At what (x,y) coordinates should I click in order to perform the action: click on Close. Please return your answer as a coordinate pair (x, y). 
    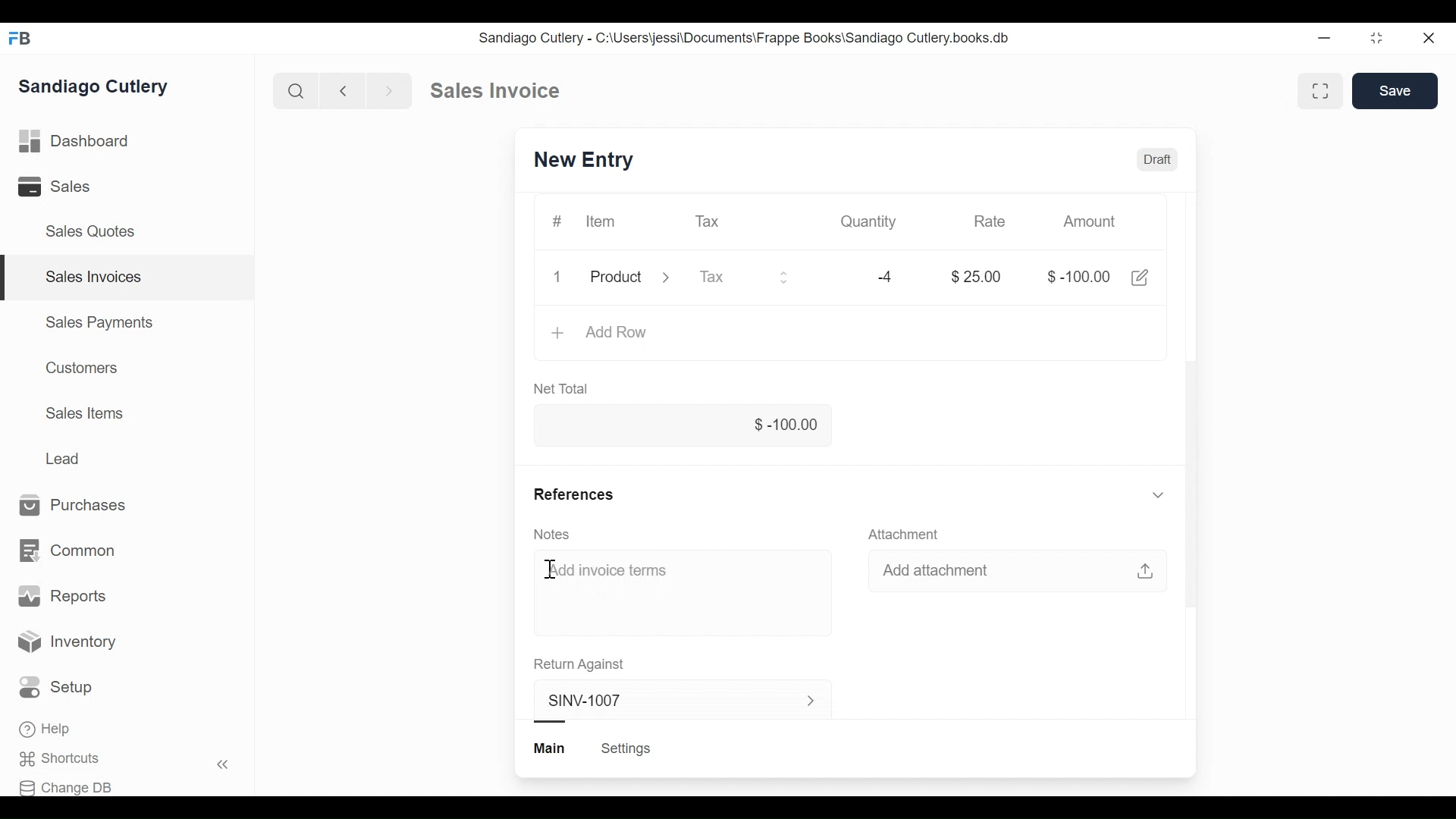
    Looking at the image, I should click on (1432, 39).